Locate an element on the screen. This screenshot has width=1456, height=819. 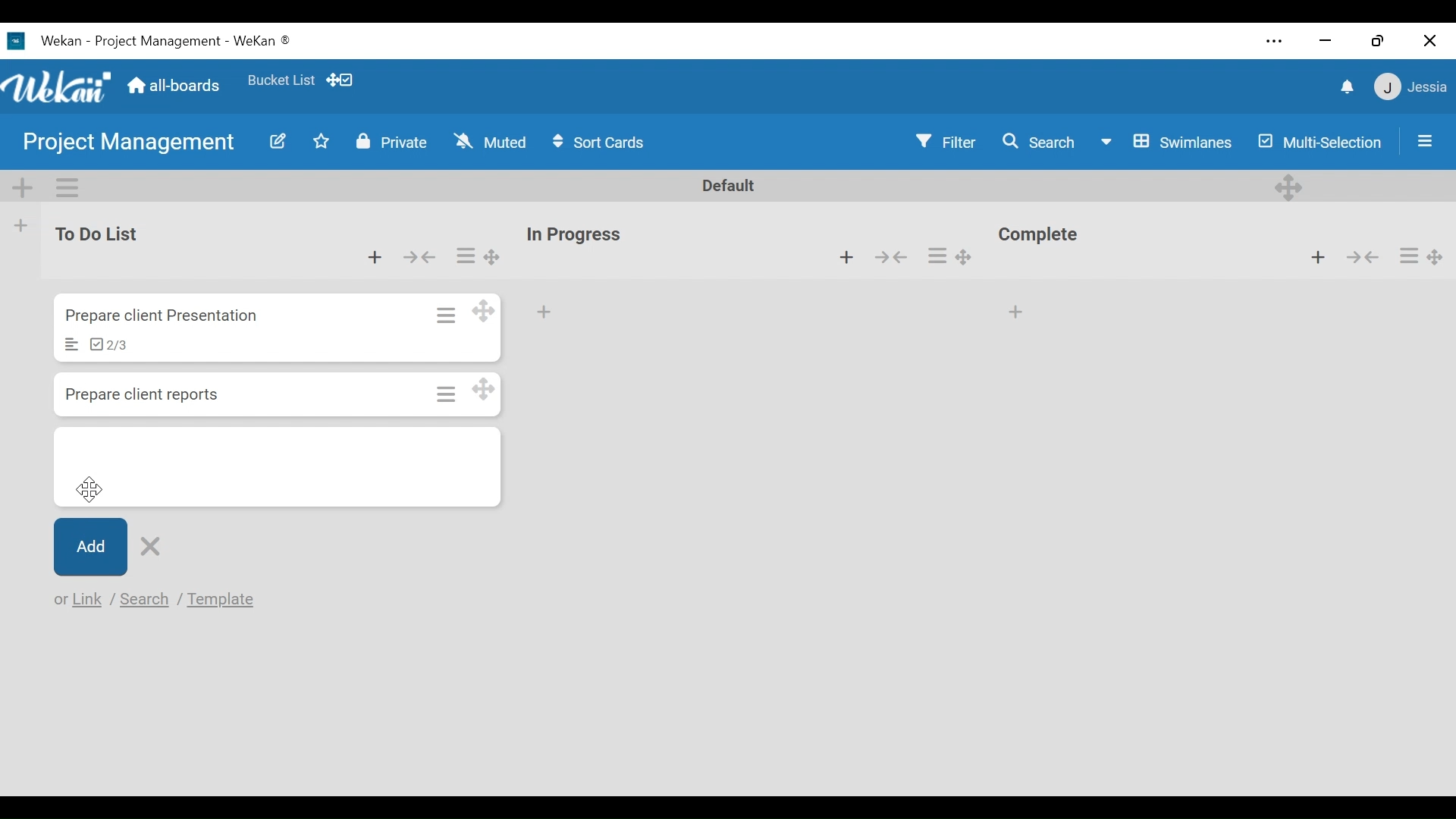
Collapse is located at coordinates (422, 256).